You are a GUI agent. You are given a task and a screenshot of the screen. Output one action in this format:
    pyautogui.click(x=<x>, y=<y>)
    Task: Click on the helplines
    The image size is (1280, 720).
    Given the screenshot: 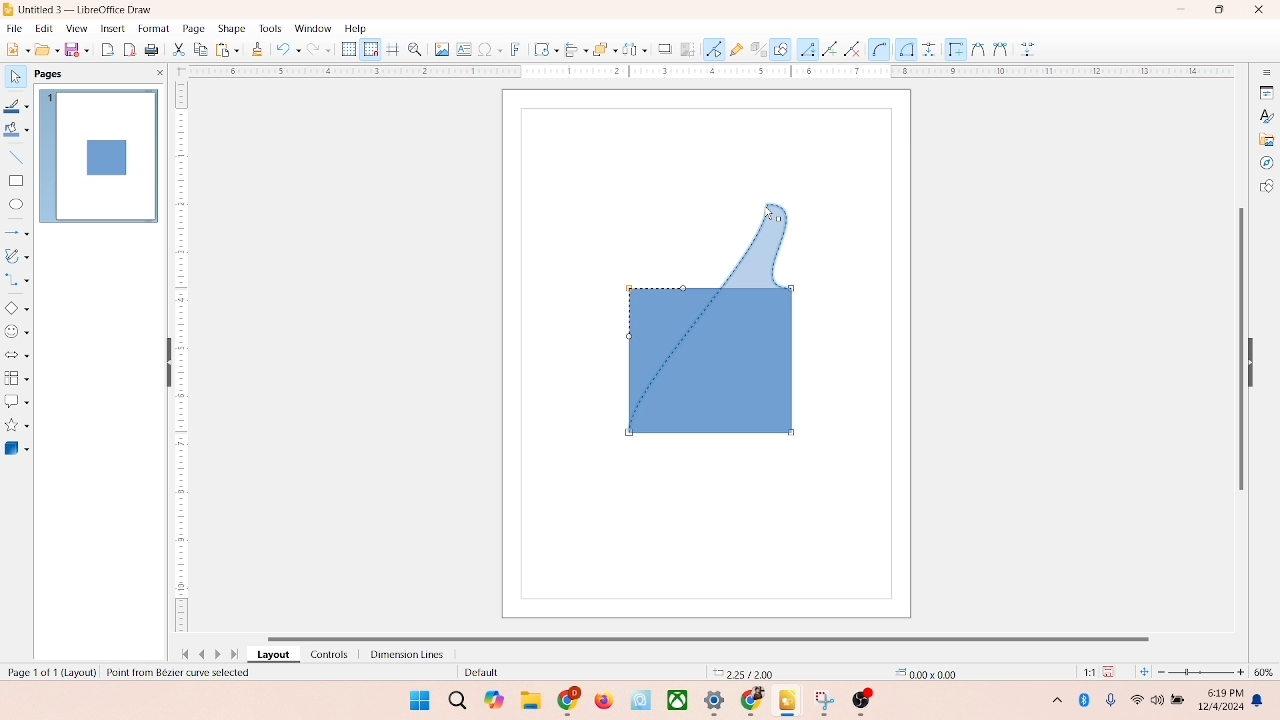 What is the action you would take?
    pyautogui.click(x=392, y=50)
    